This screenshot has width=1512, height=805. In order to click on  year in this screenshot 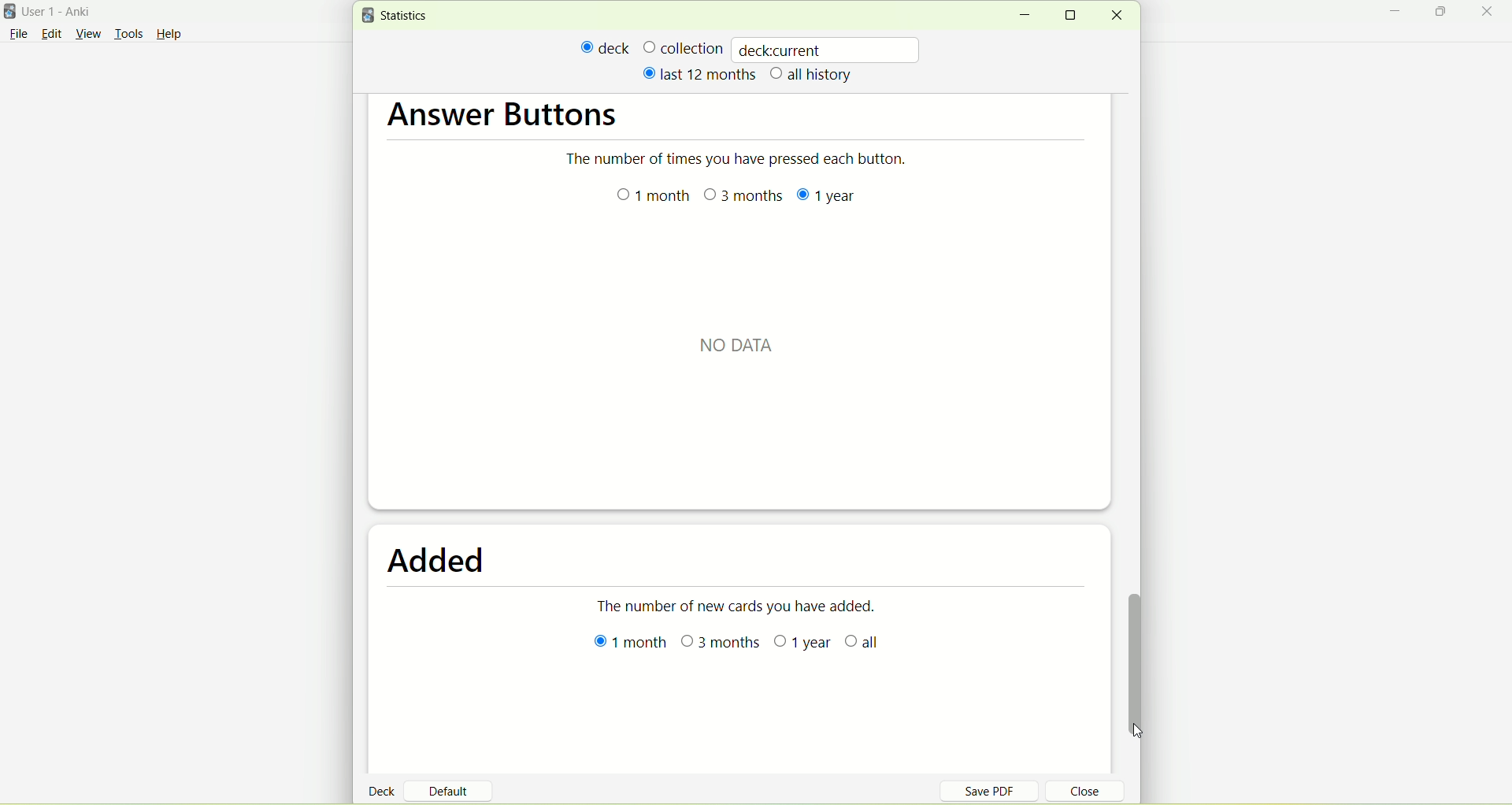, I will do `click(797, 645)`.